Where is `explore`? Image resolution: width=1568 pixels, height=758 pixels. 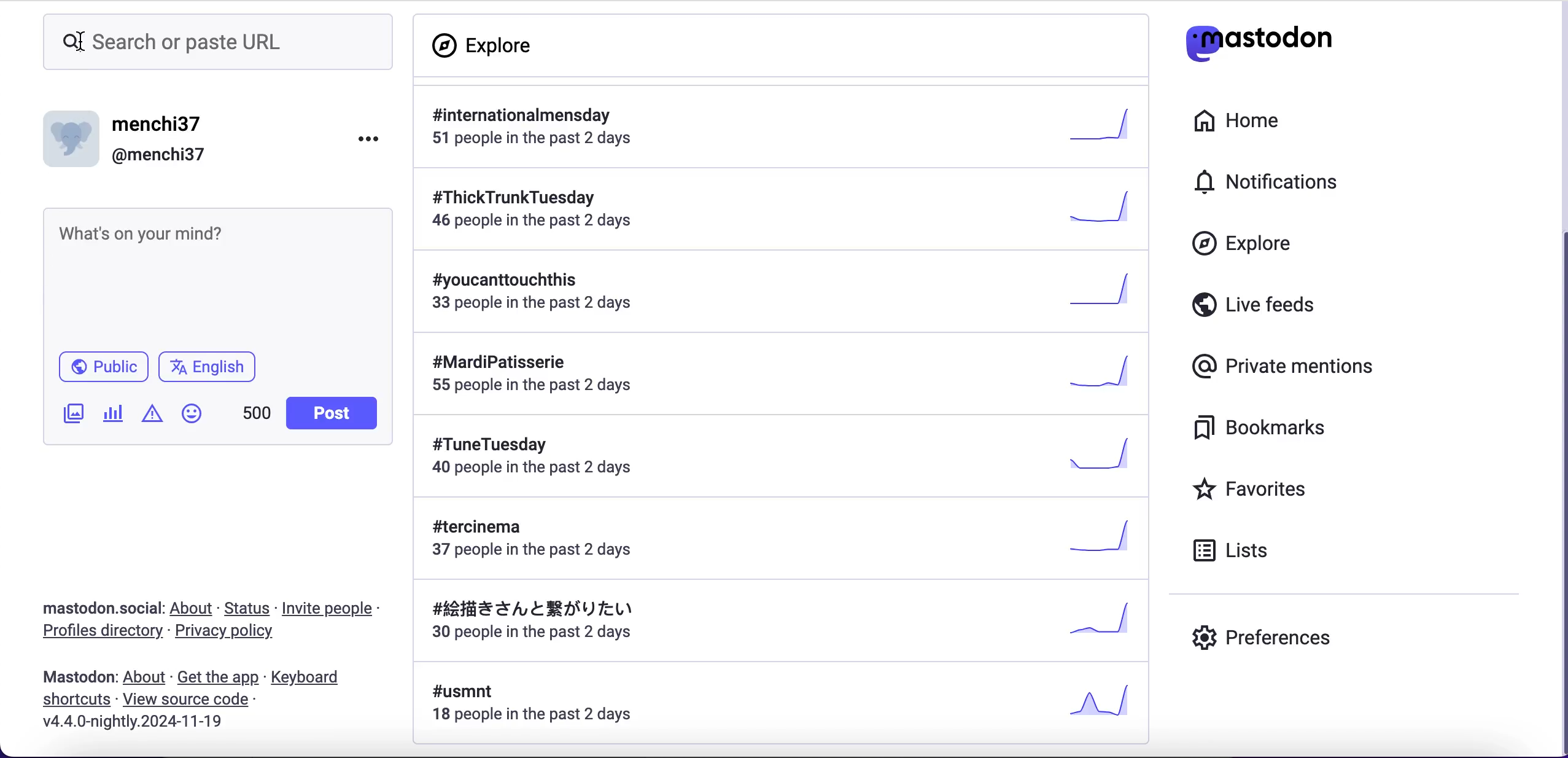
explore is located at coordinates (488, 45).